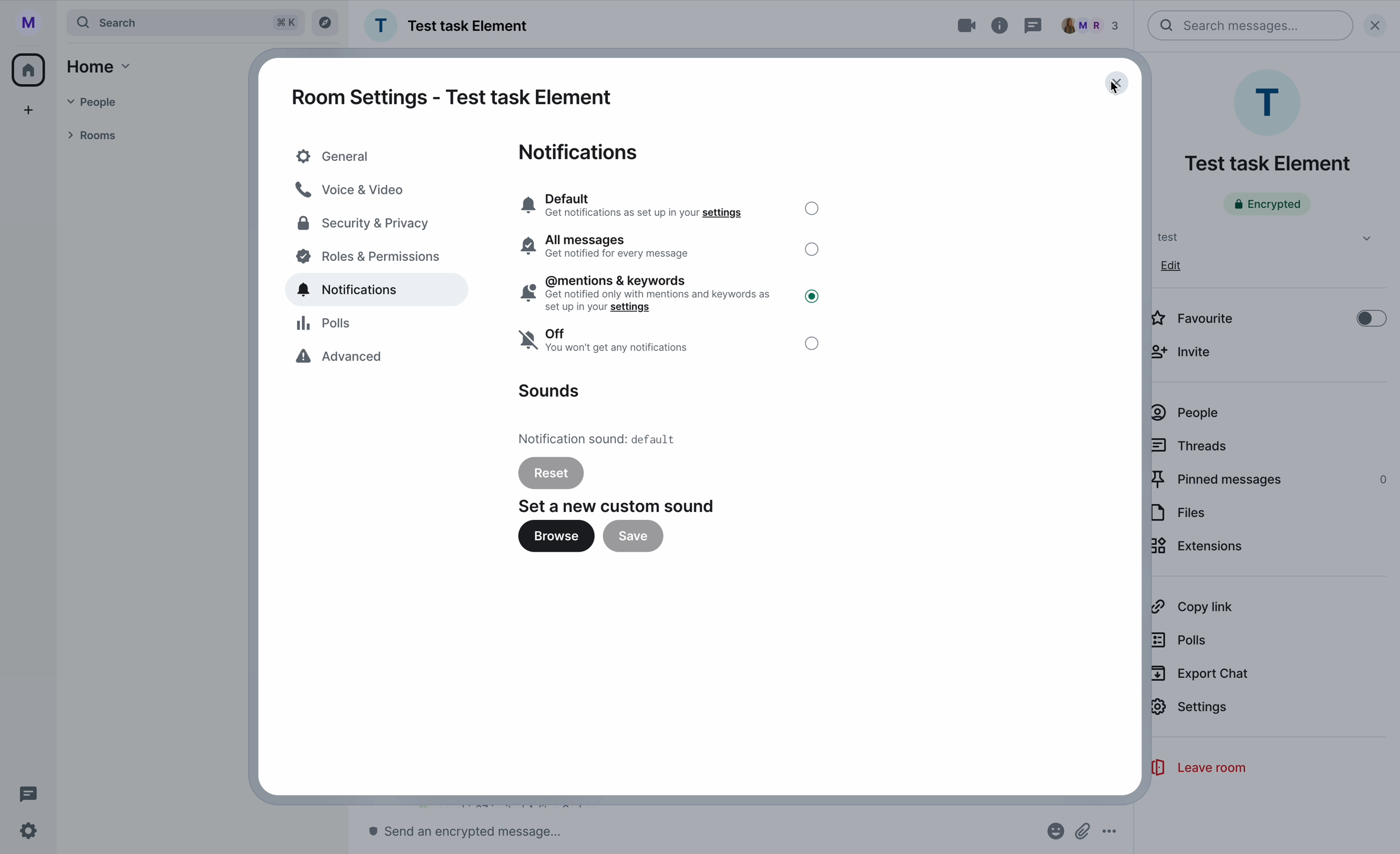  I want to click on files, so click(1180, 513).